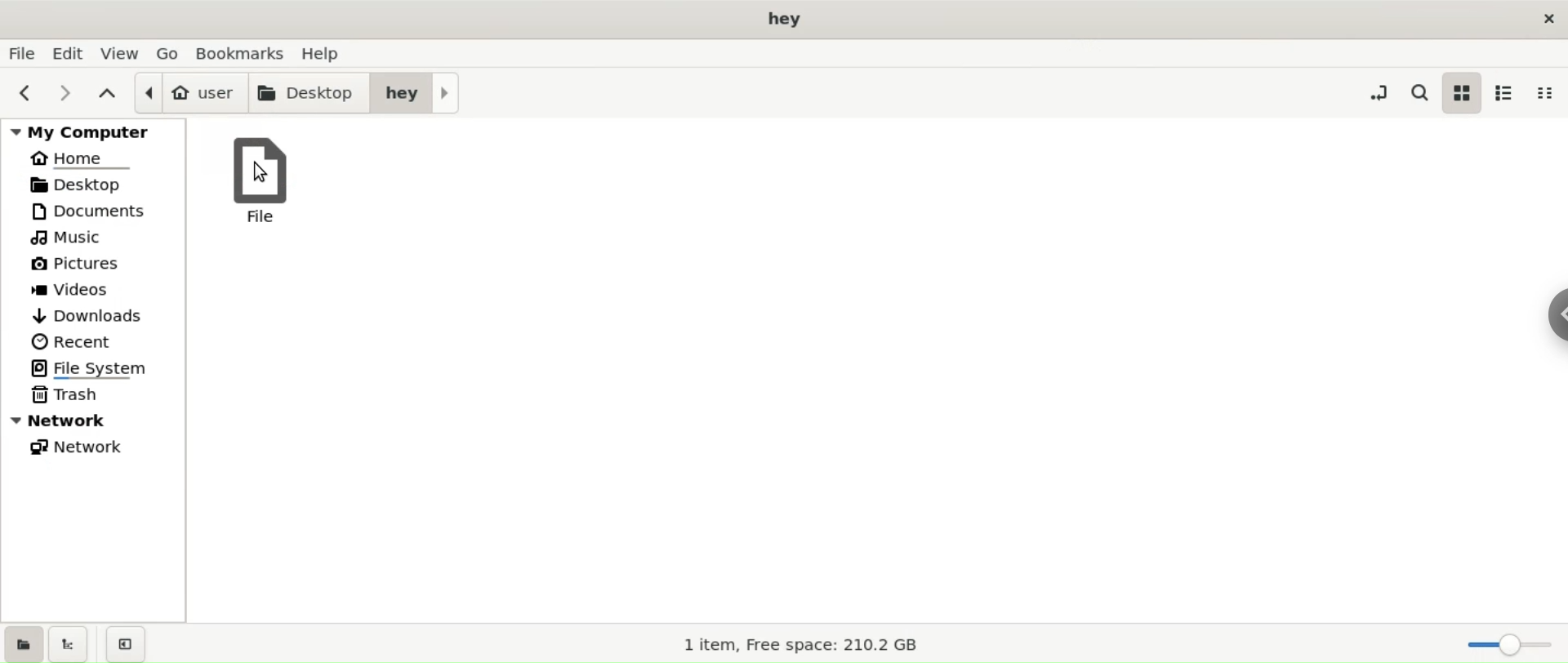  What do you see at coordinates (24, 93) in the screenshot?
I see `previous` at bounding box center [24, 93].